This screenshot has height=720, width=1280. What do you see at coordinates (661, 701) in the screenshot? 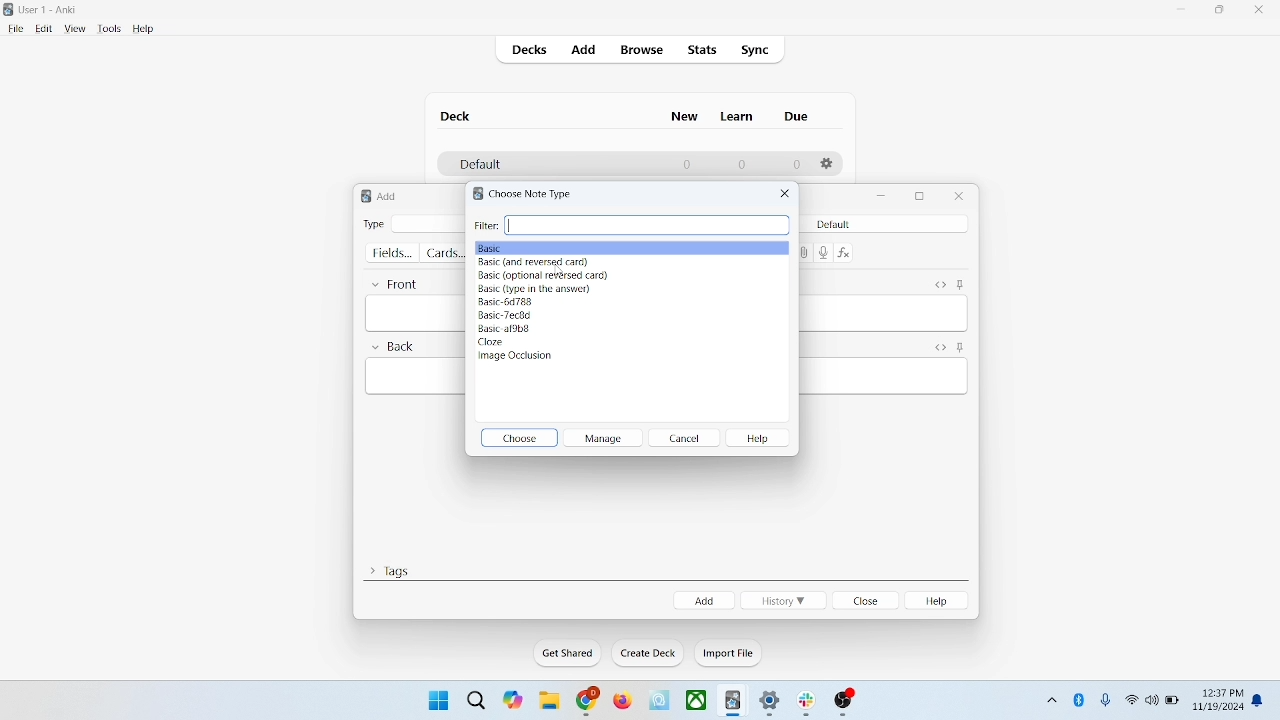
I see `icon` at bounding box center [661, 701].